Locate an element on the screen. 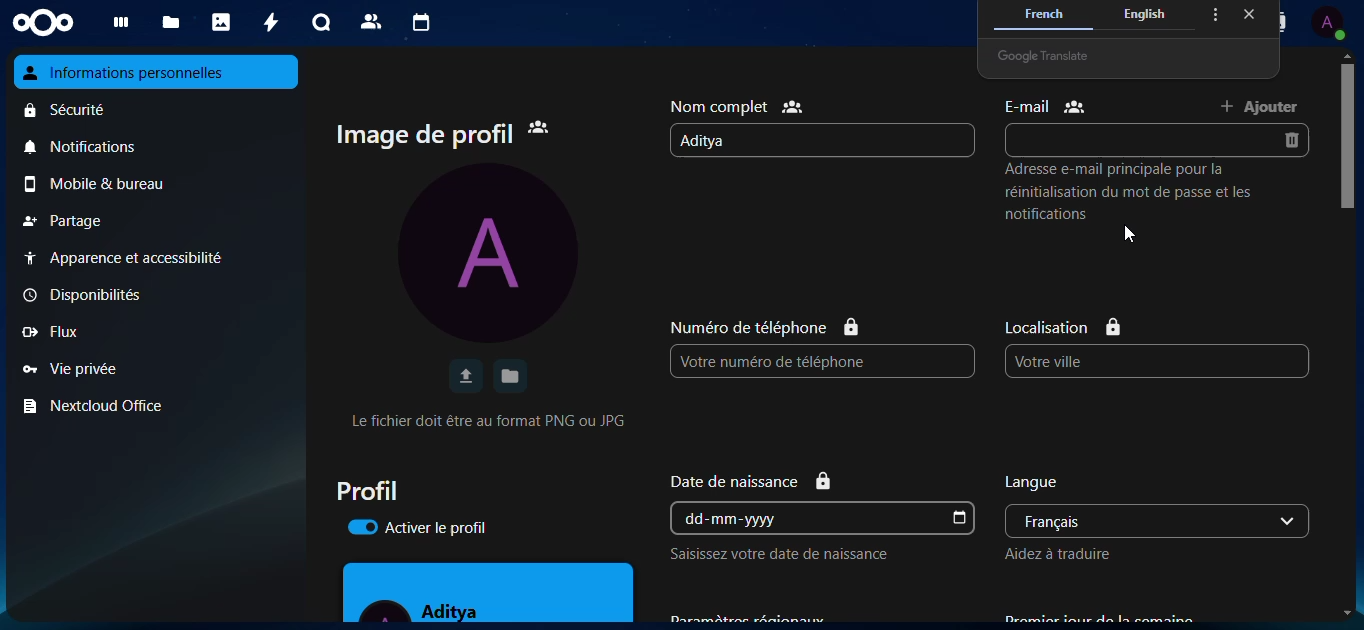 This screenshot has height=630, width=1364. contacts is located at coordinates (368, 21).